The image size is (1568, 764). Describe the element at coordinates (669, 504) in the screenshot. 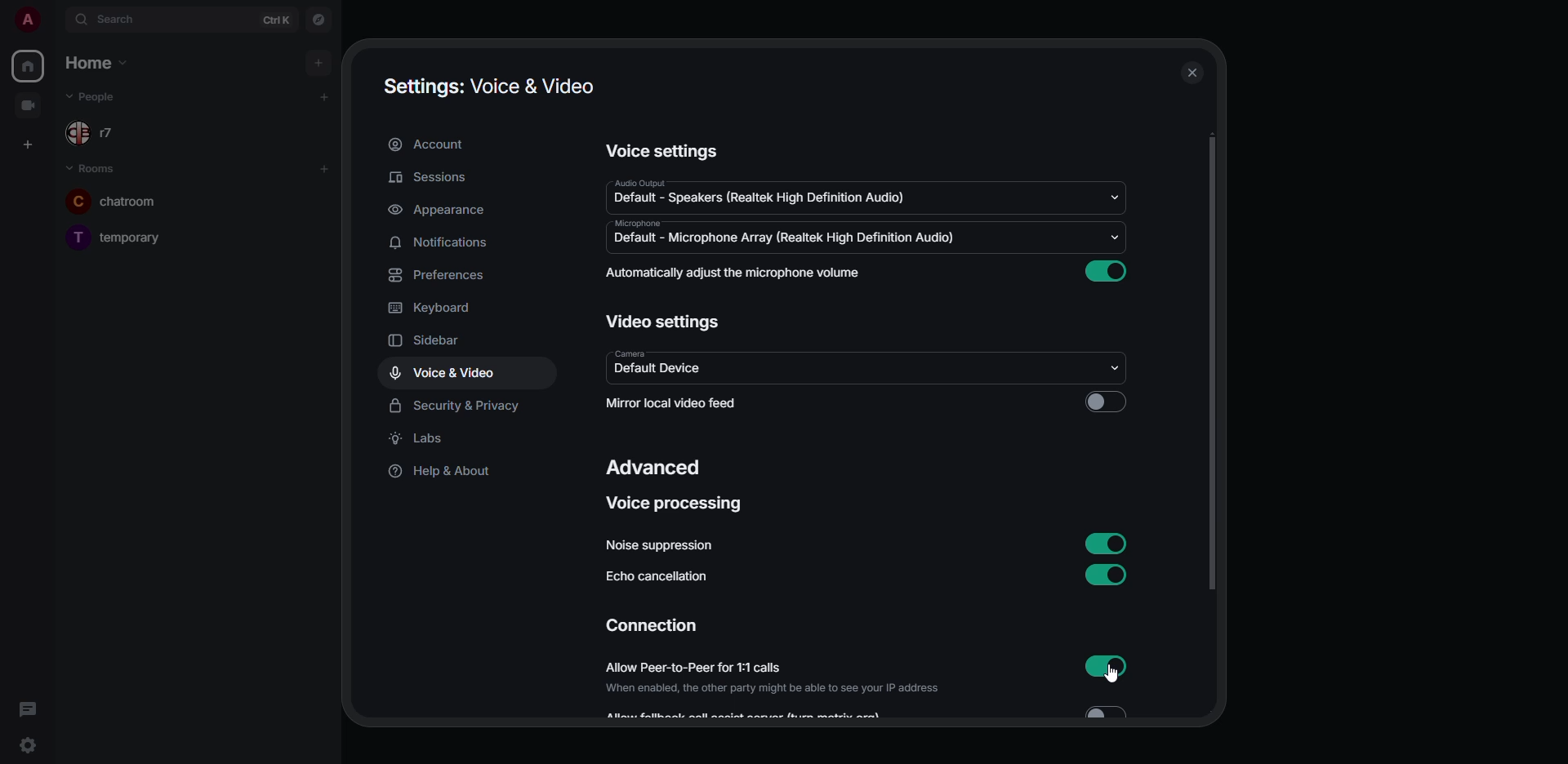

I see `voice processing` at that location.